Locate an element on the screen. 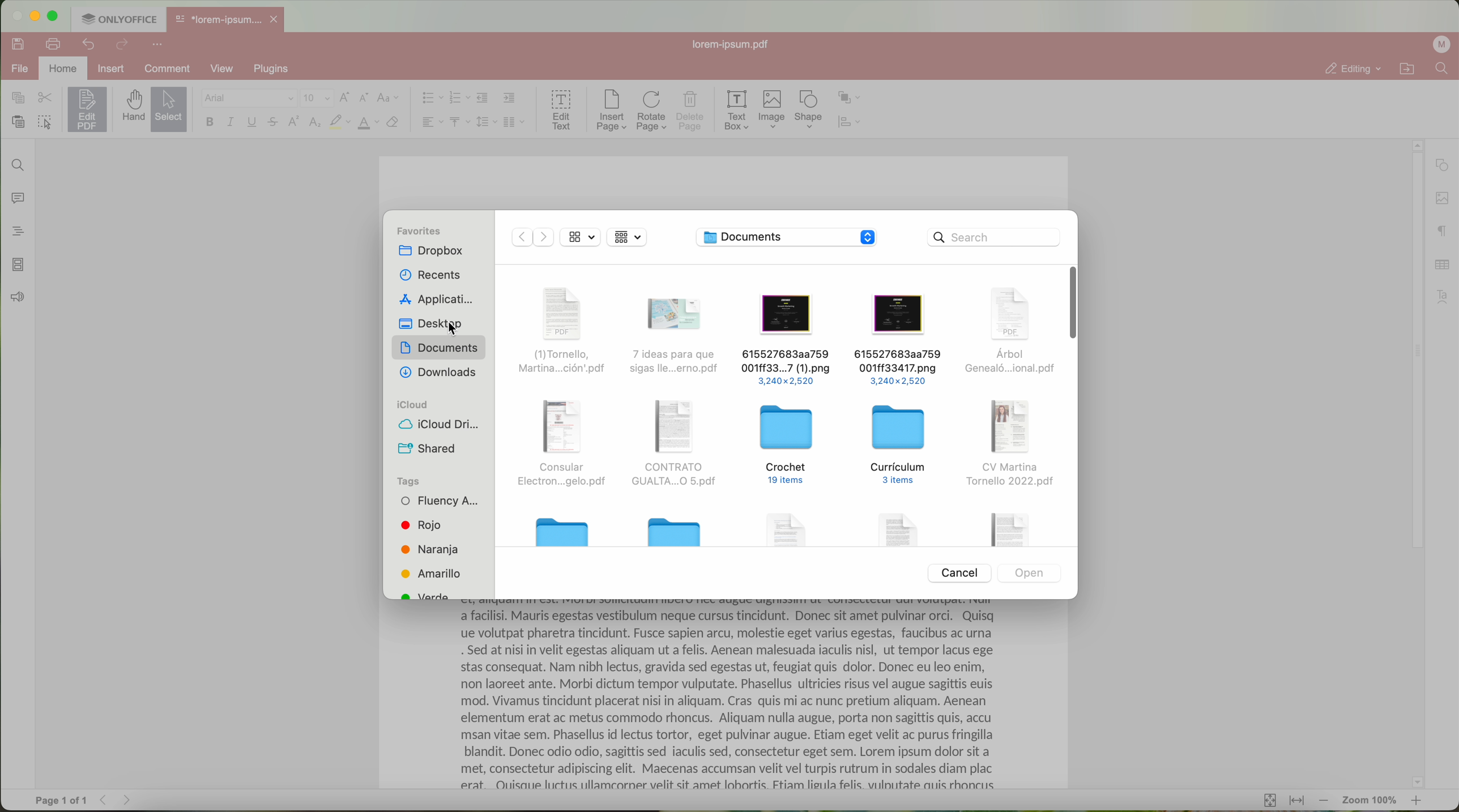  ONLYOFFICE is located at coordinates (118, 18).